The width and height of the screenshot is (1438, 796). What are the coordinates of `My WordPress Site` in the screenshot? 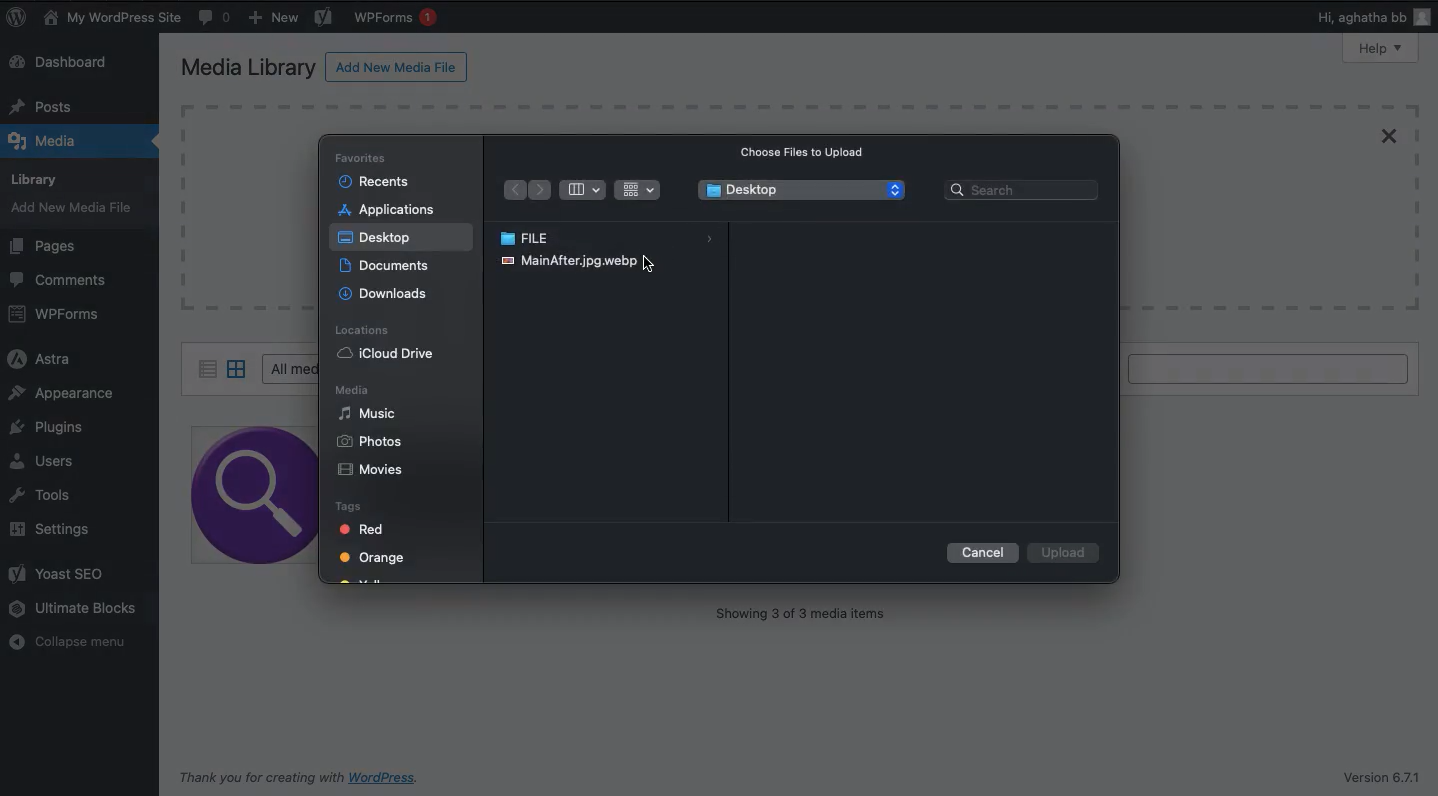 It's located at (112, 19).